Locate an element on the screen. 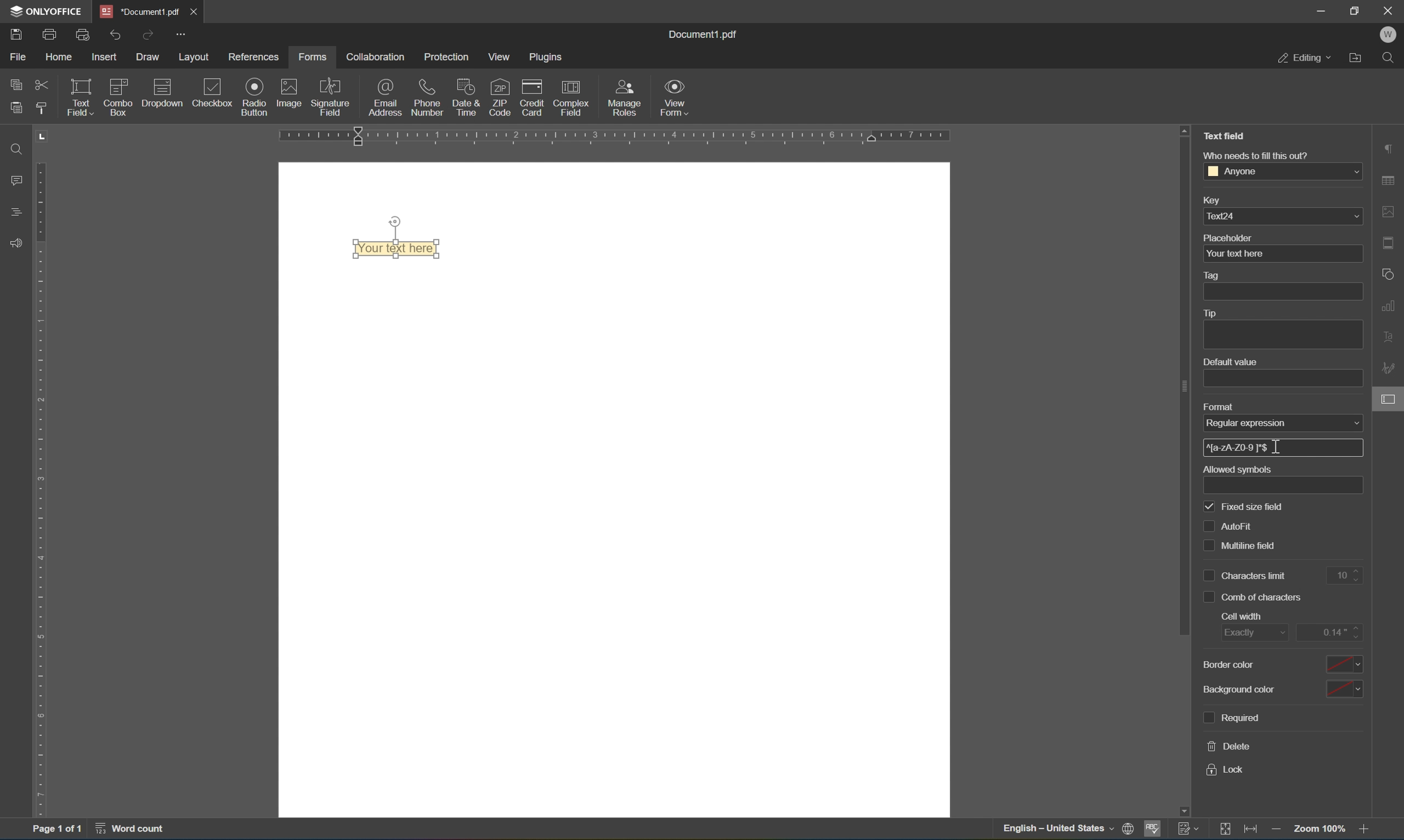  form settings is located at coordinates (1390, 398).